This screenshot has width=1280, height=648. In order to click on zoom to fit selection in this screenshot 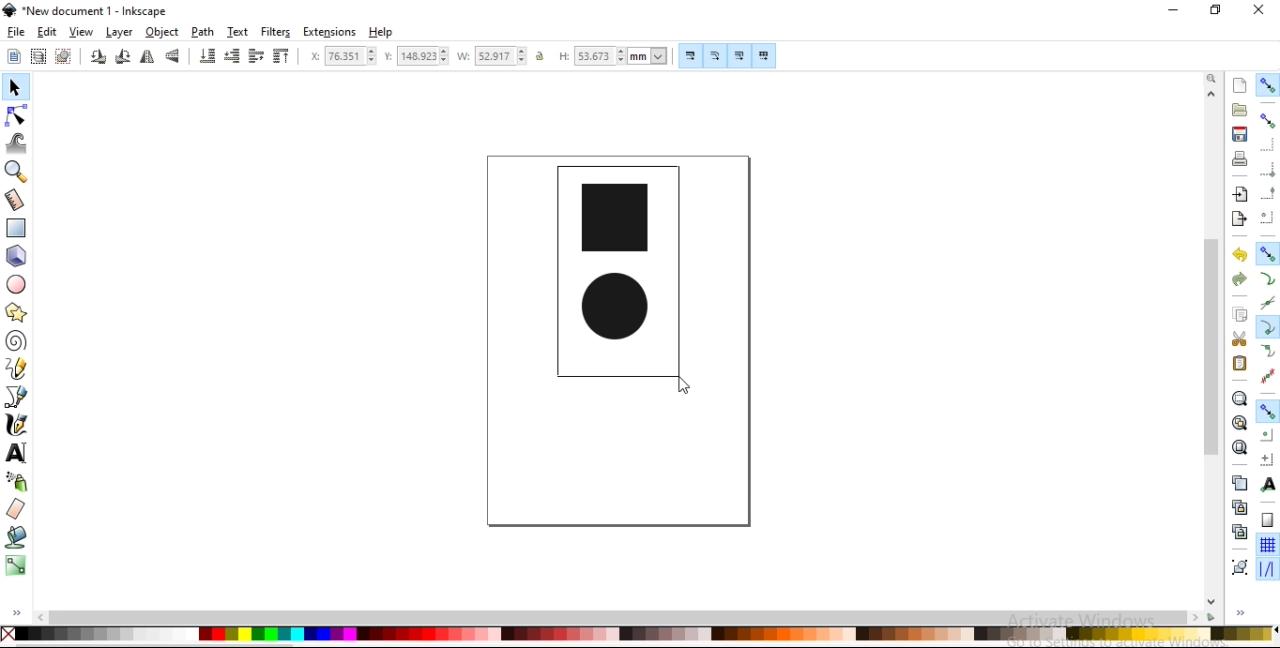, I will do `click(1239, 399)`.